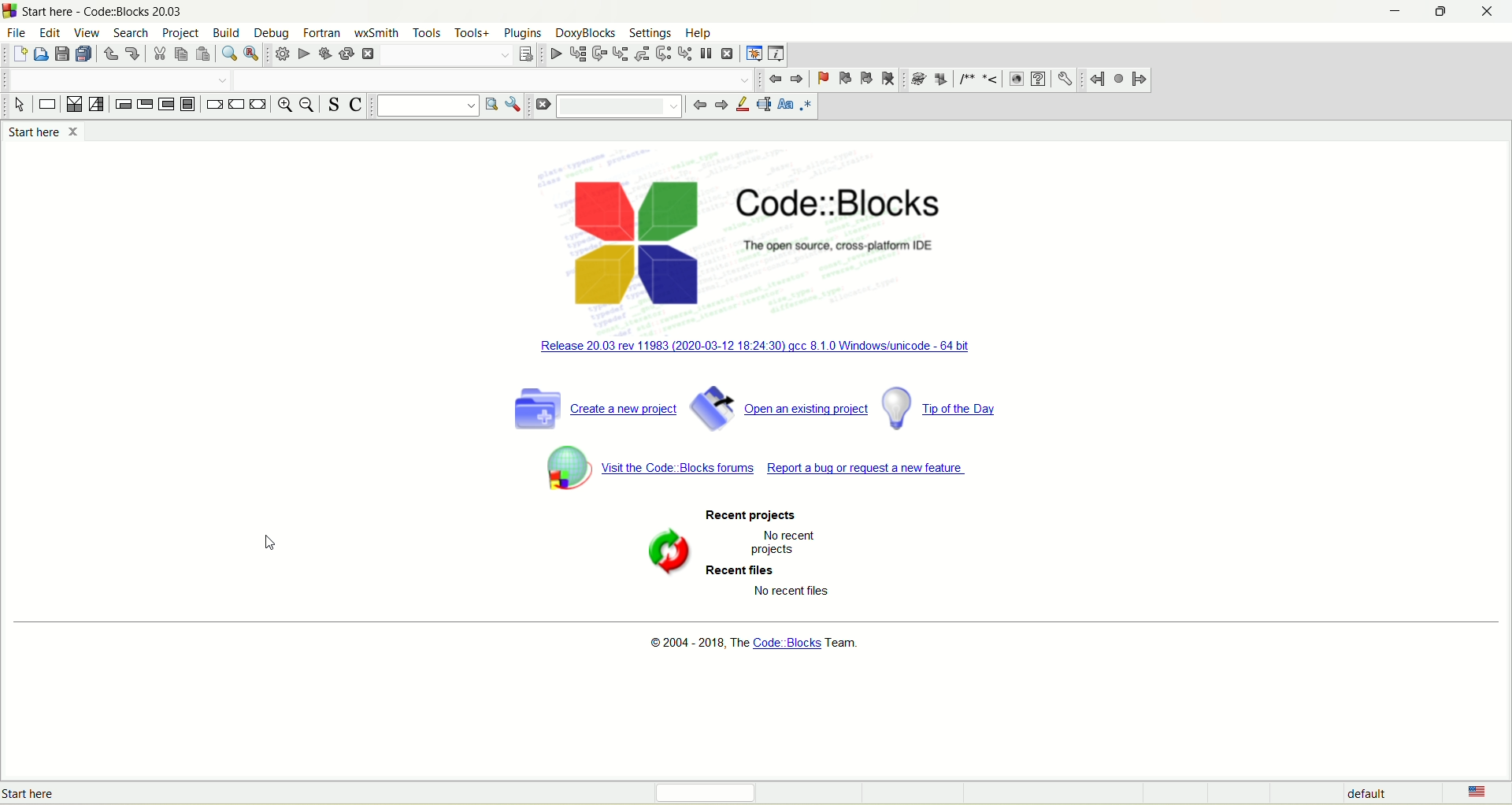 The image size is (1512, 805). What do you see at coordinates (776, 54) in the screenshot?
I see `various info` at bounding box center [776, 54].